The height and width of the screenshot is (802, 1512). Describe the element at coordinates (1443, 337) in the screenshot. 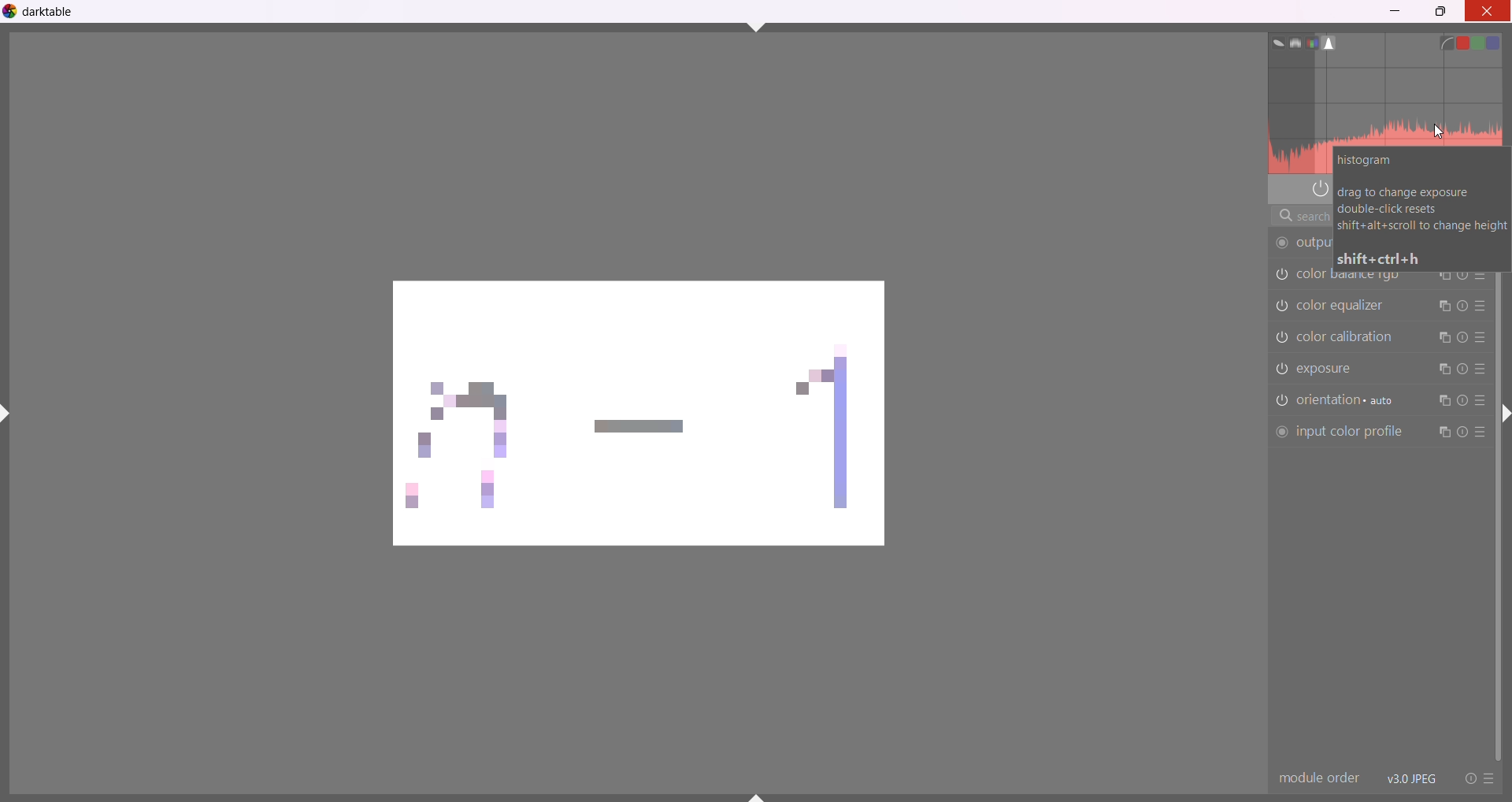

I see `instance` at that location.